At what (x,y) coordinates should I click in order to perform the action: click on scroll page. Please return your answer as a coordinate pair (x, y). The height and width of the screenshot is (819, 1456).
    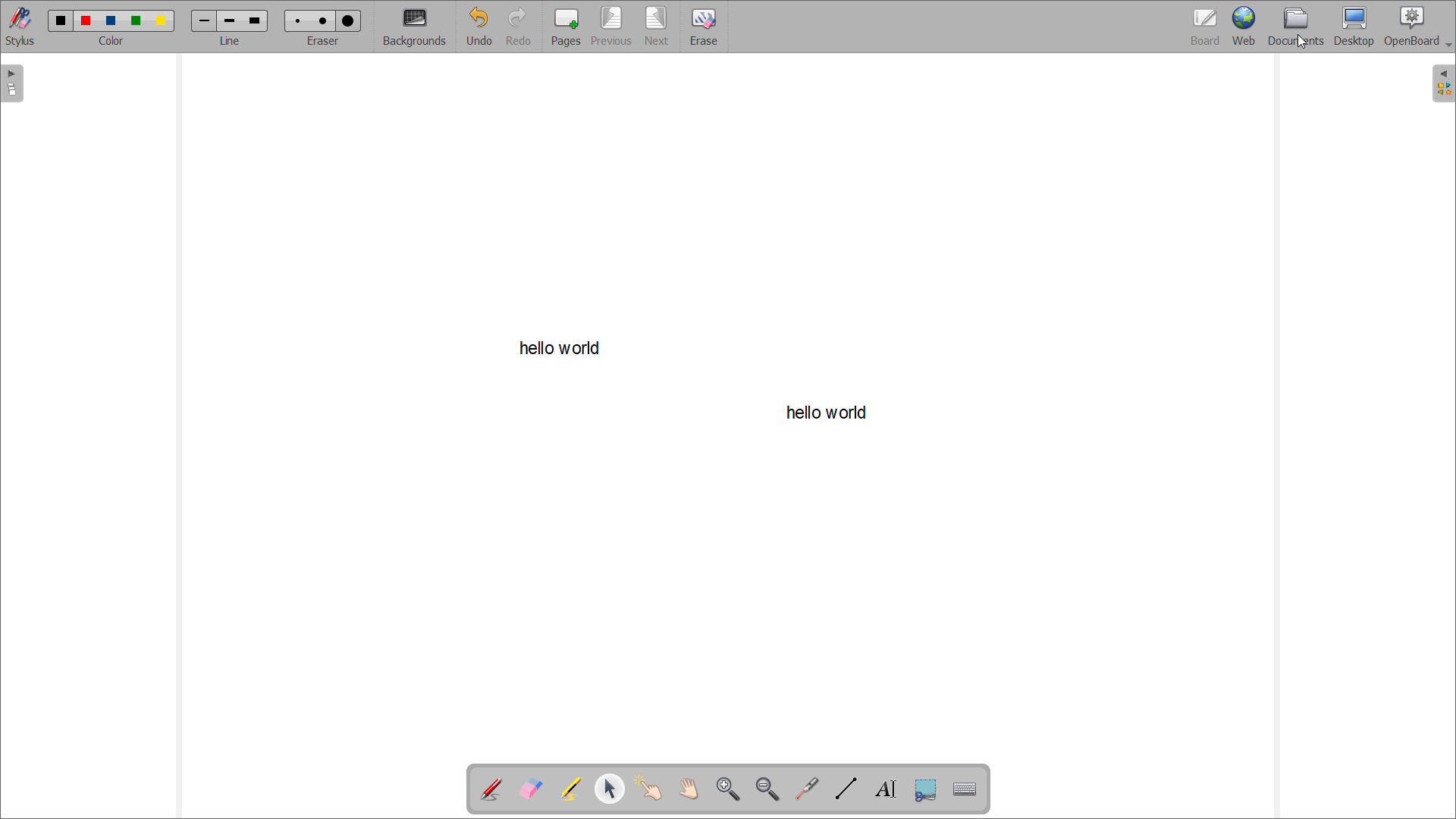
    Looking at the image, I should click on (688, 787).